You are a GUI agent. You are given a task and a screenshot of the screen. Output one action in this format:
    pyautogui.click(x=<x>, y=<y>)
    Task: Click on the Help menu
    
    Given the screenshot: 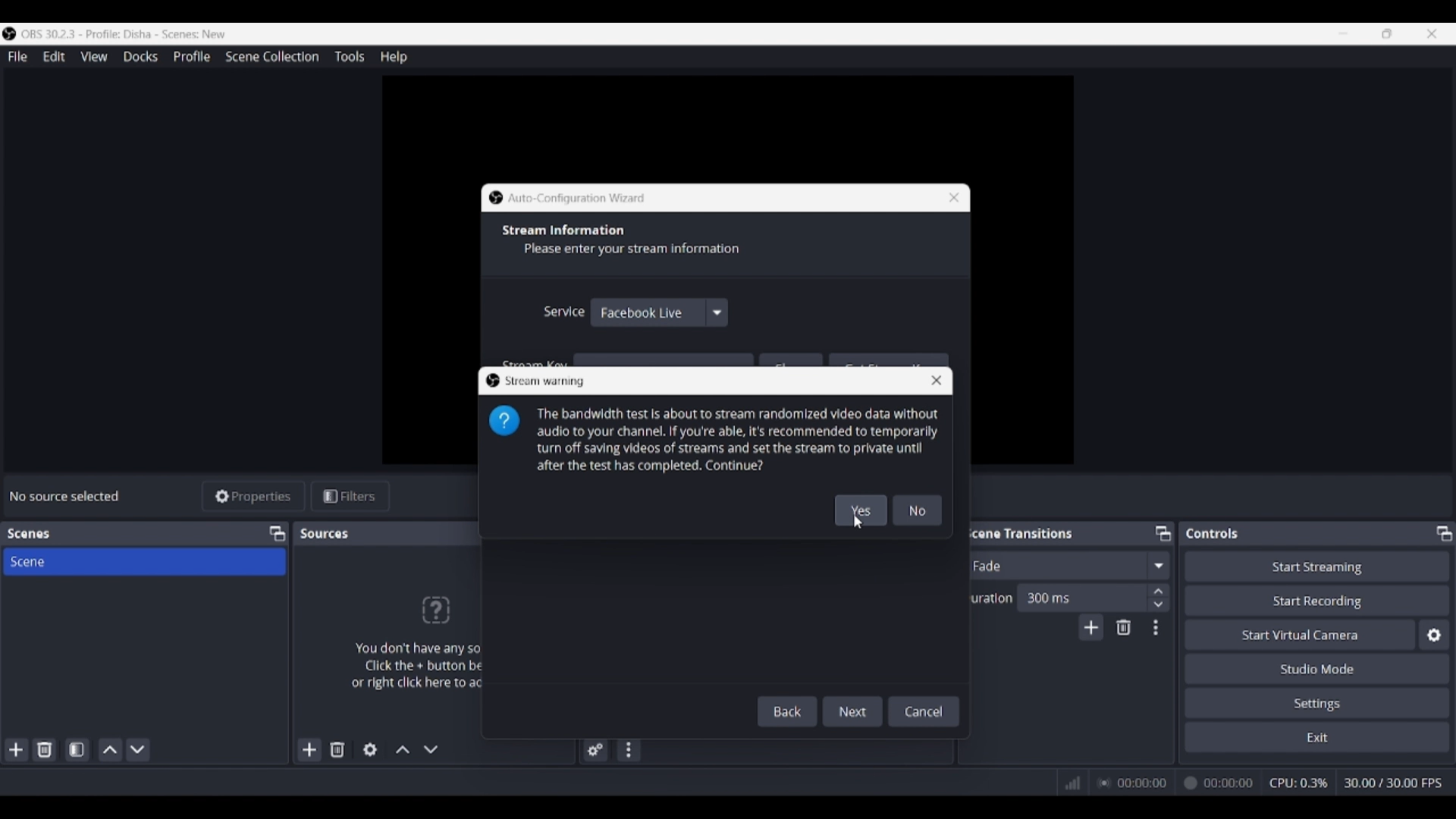 What is the action you would take?
    pyautogui.click(x=394, y=57)
    